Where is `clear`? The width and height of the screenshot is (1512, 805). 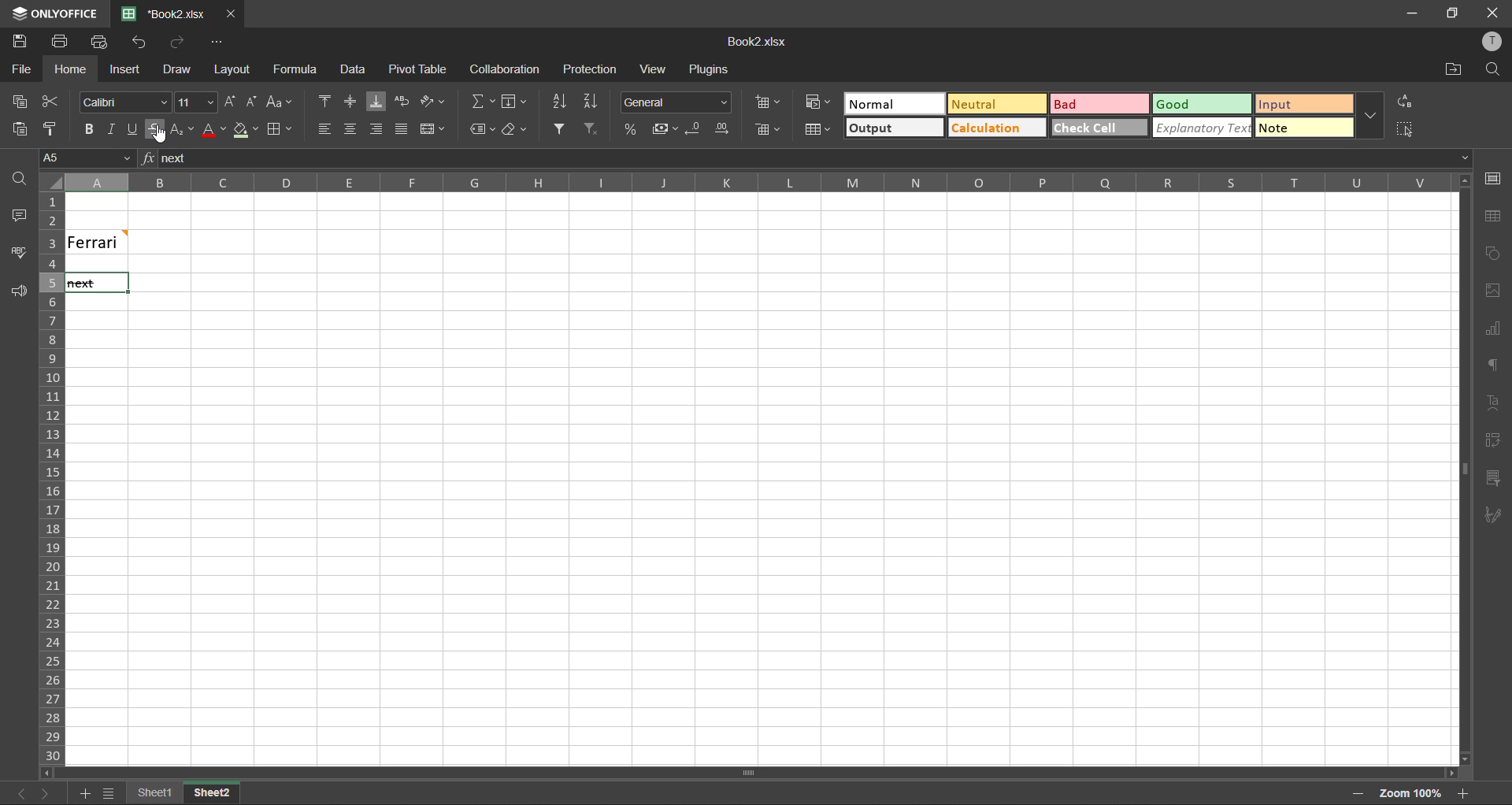 clear is located at coordinates (515, 130).